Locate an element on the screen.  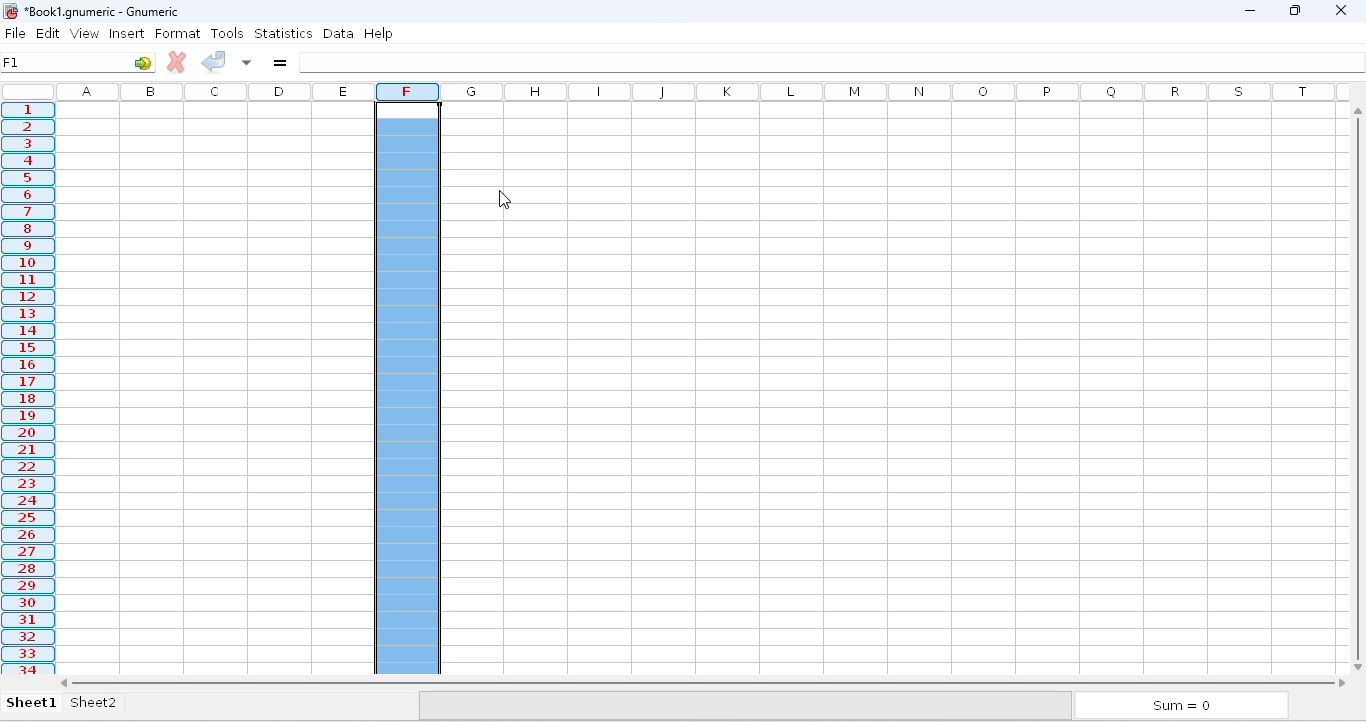
insert is located at coordinates (127, 34).